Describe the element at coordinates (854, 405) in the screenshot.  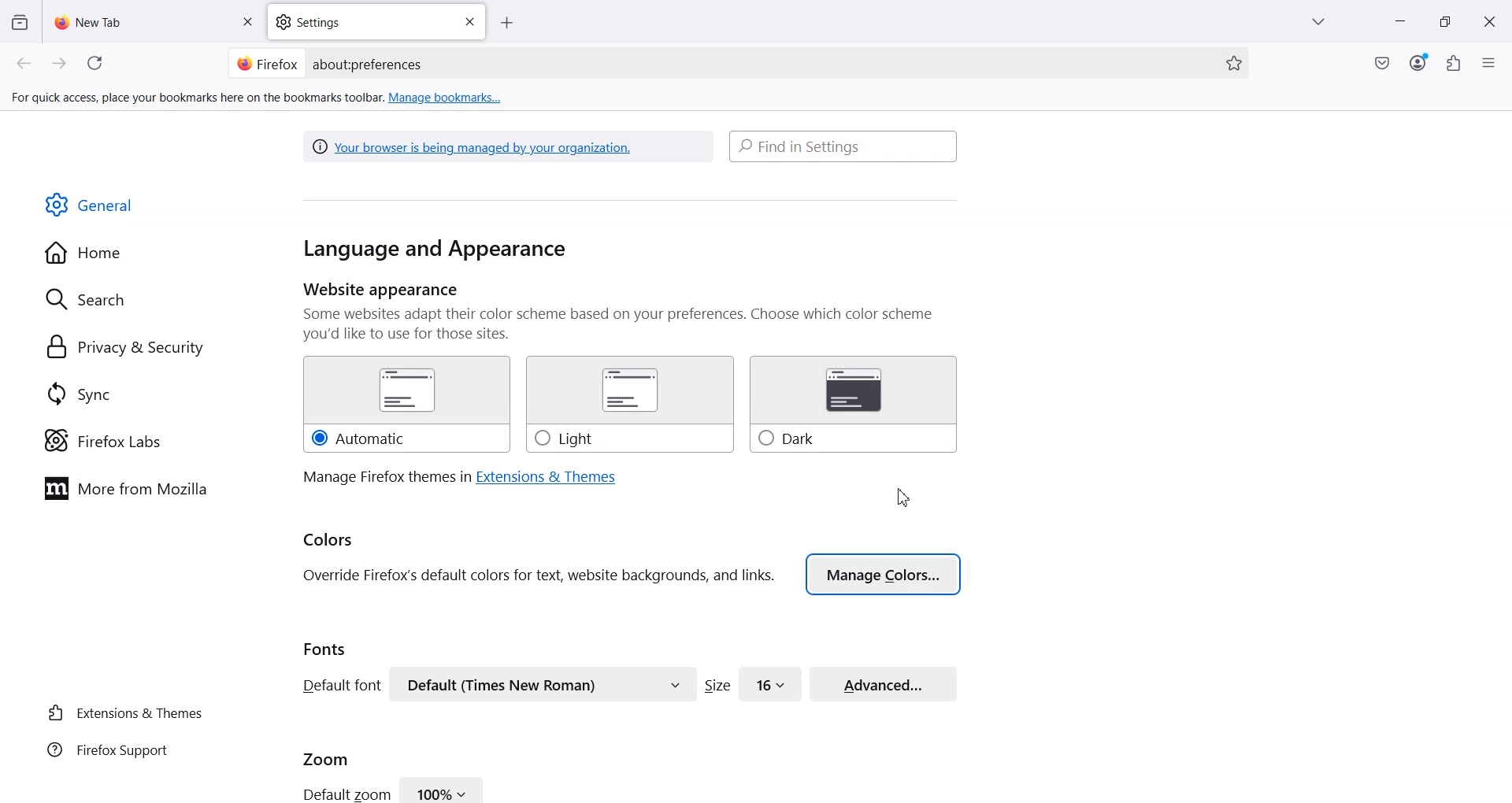
I see `O Dark` at that location.